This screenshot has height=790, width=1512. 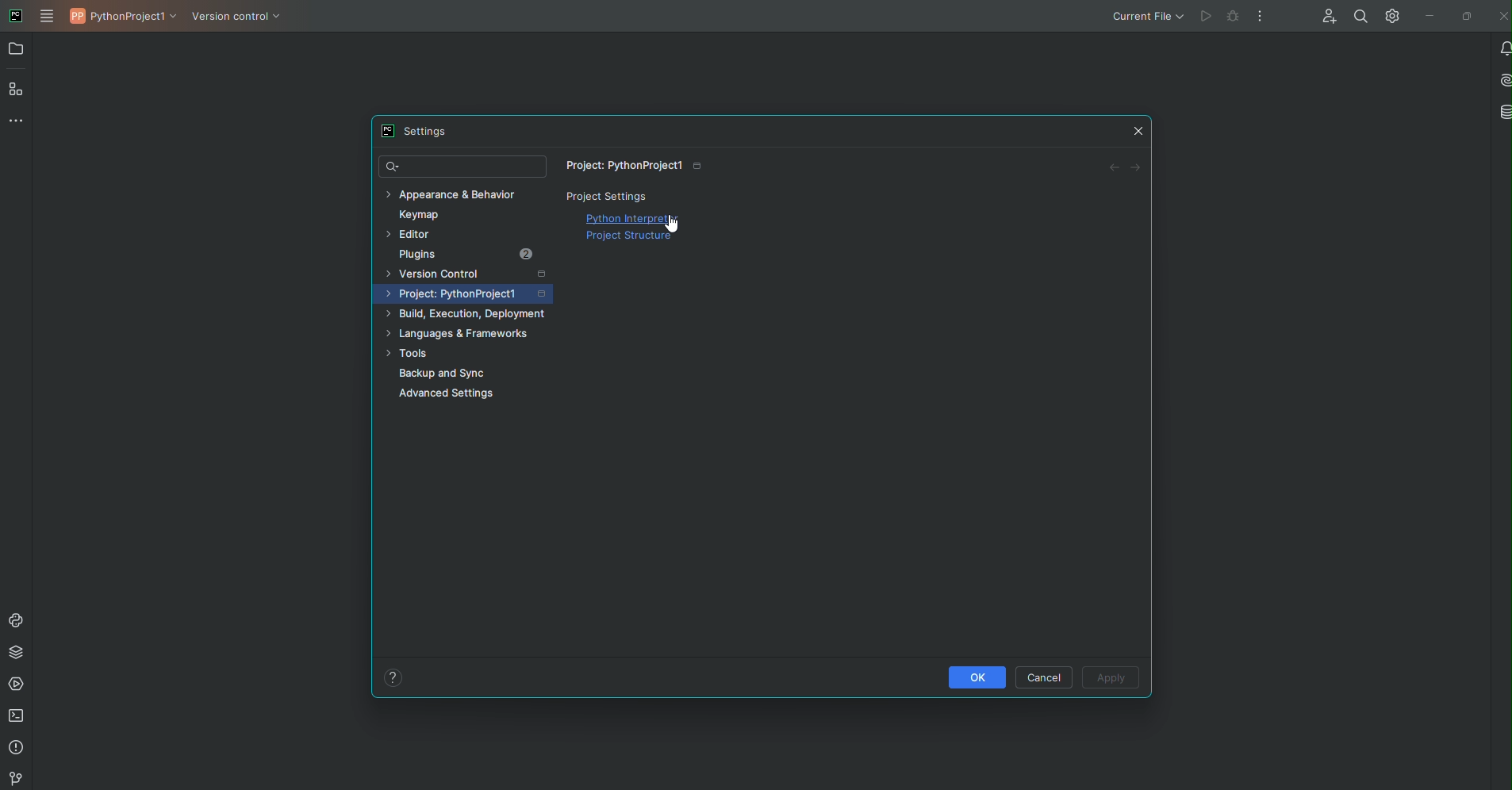 I want to click on Code with me, so click(x=1328, y=15).